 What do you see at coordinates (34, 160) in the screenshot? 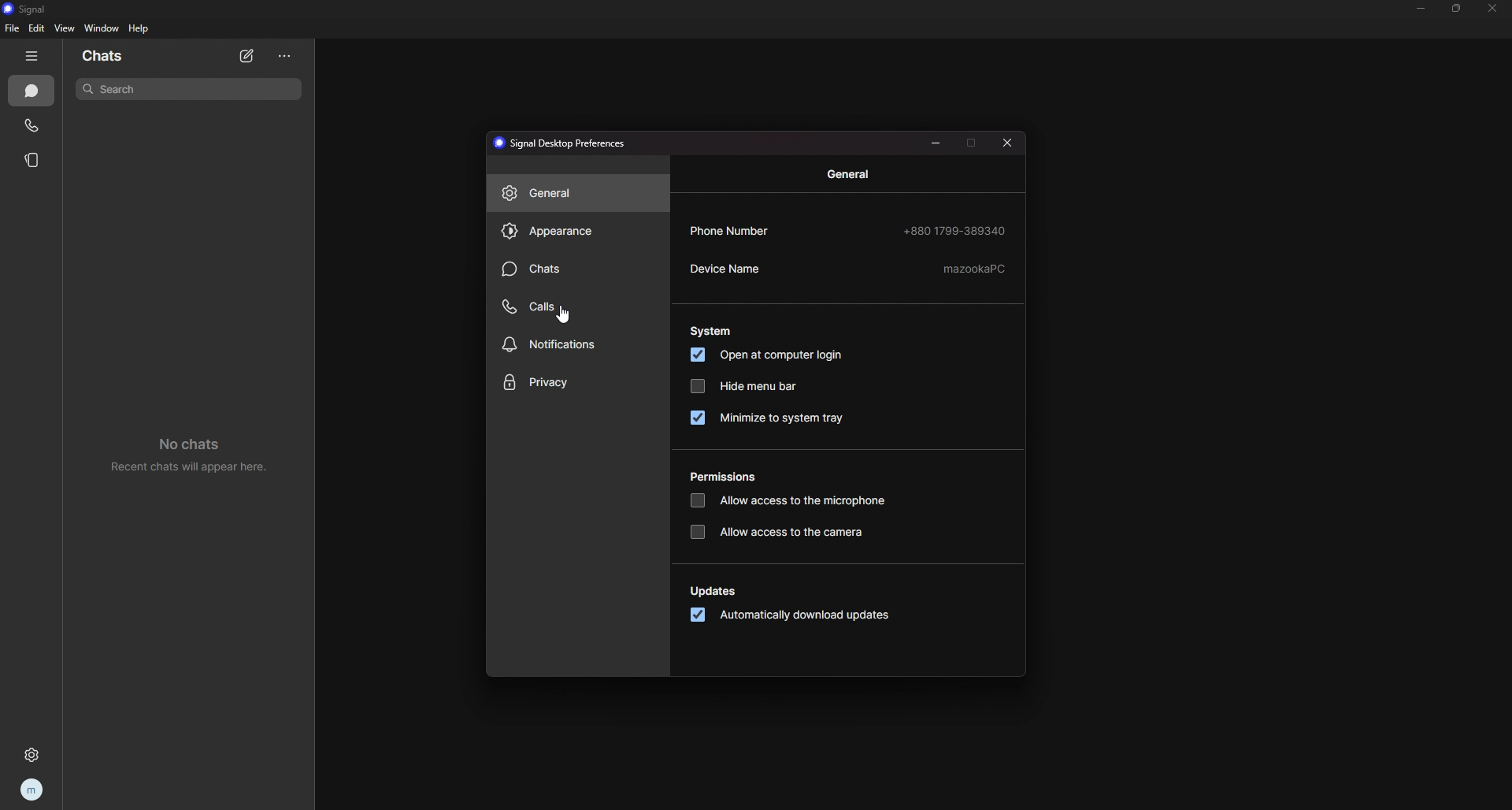
I see `stories` at bounding box center [34, 160].